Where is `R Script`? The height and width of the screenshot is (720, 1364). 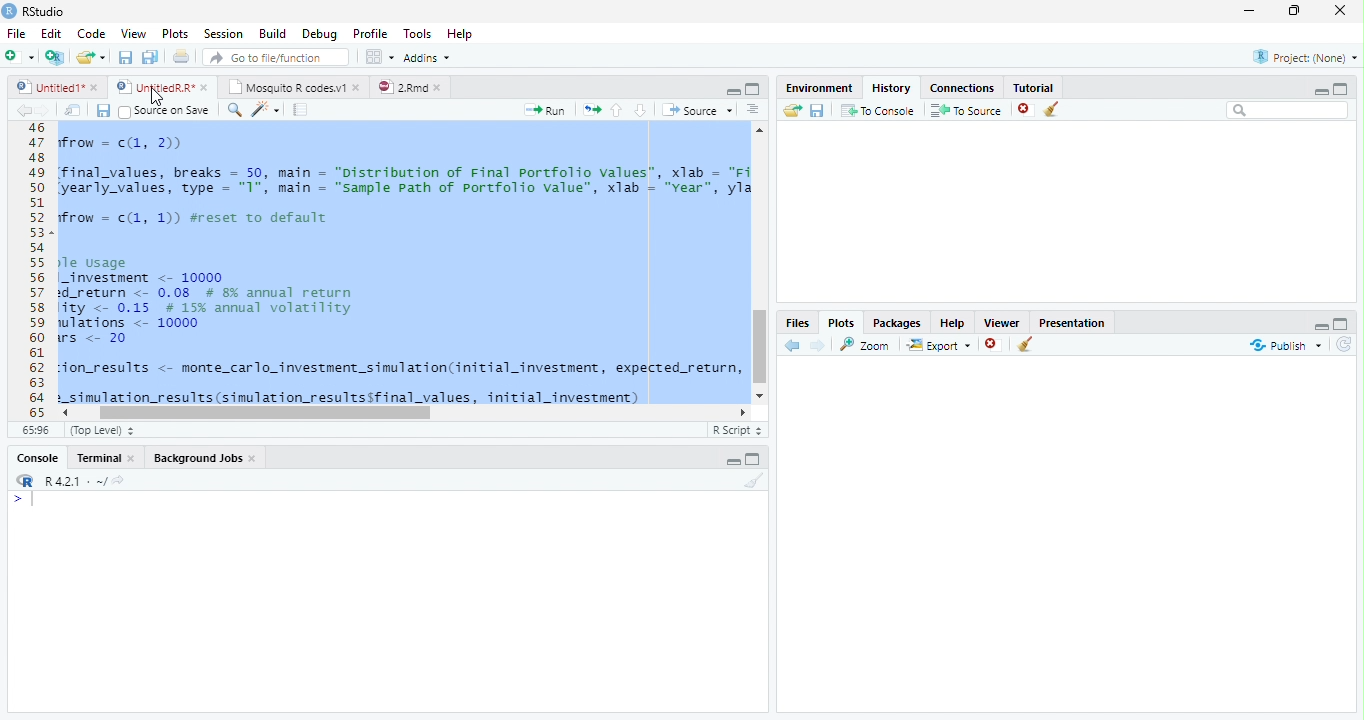 R Script is located at coordinates (737, 430).